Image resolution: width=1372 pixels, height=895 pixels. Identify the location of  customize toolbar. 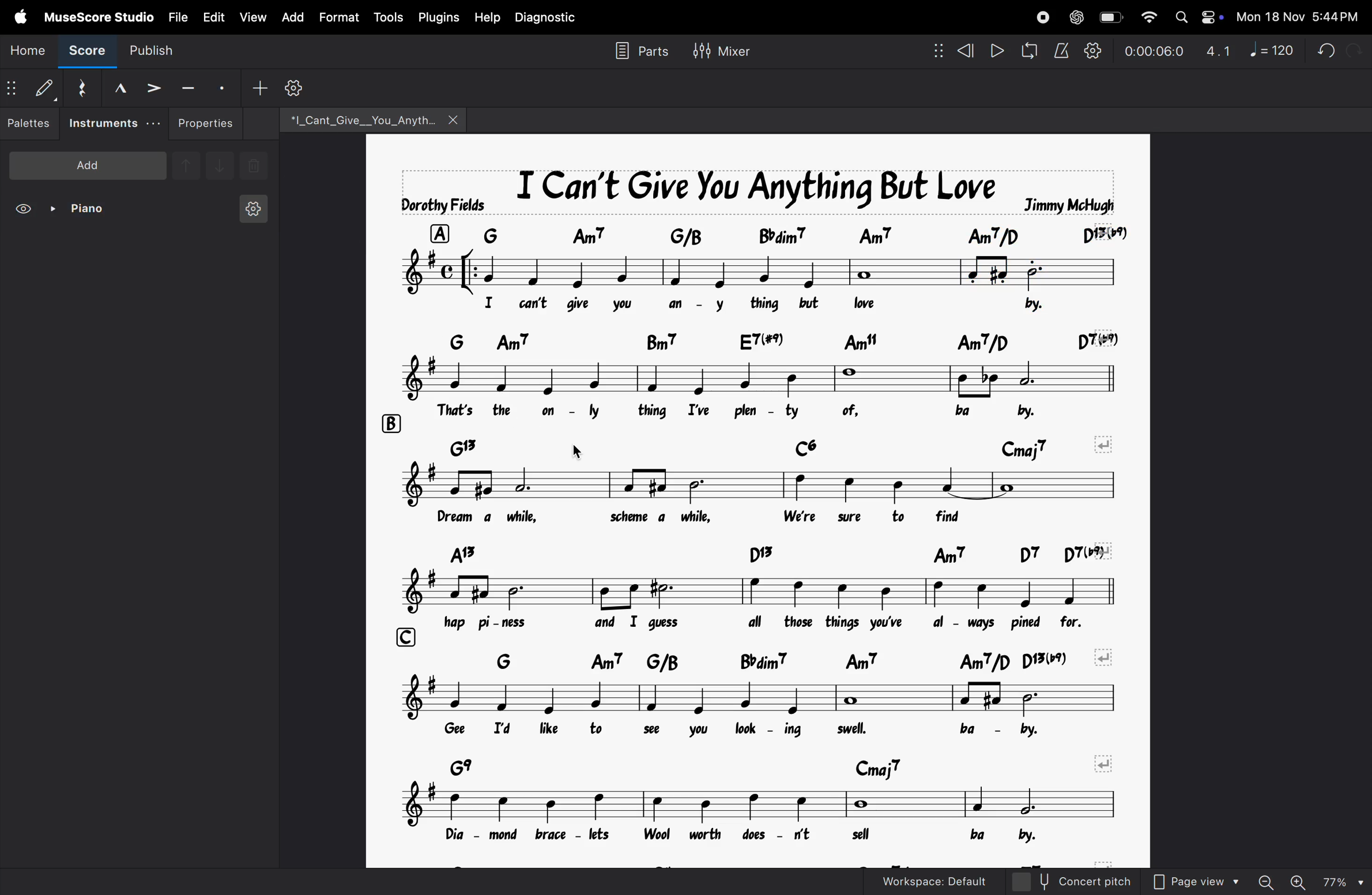
(300, 86).